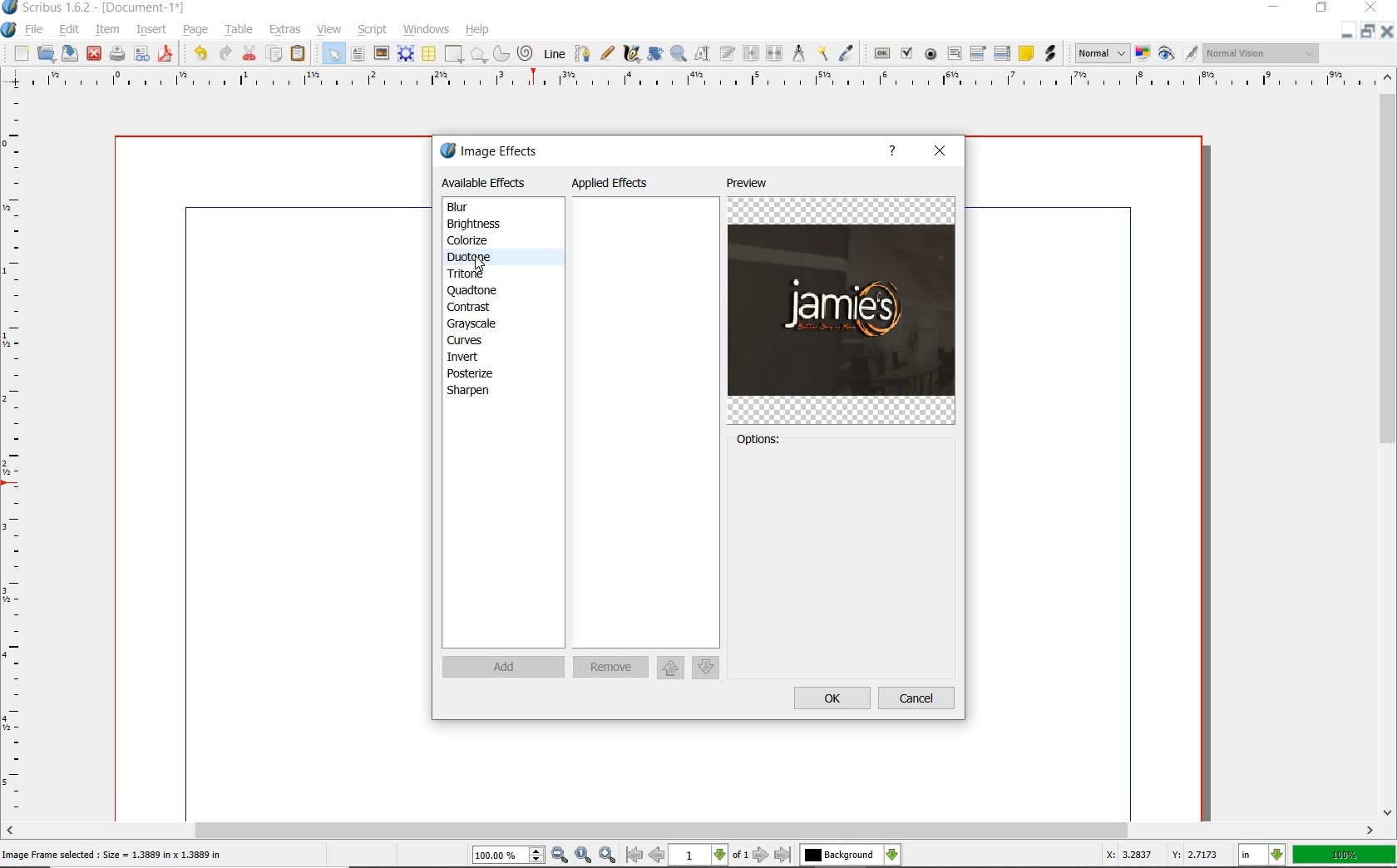 This screenshot has width=1397, height=868. What do you see at coordinates (1160, 857) in the screenshot?
I see `coordinates` at bounding box center [1160, 857].